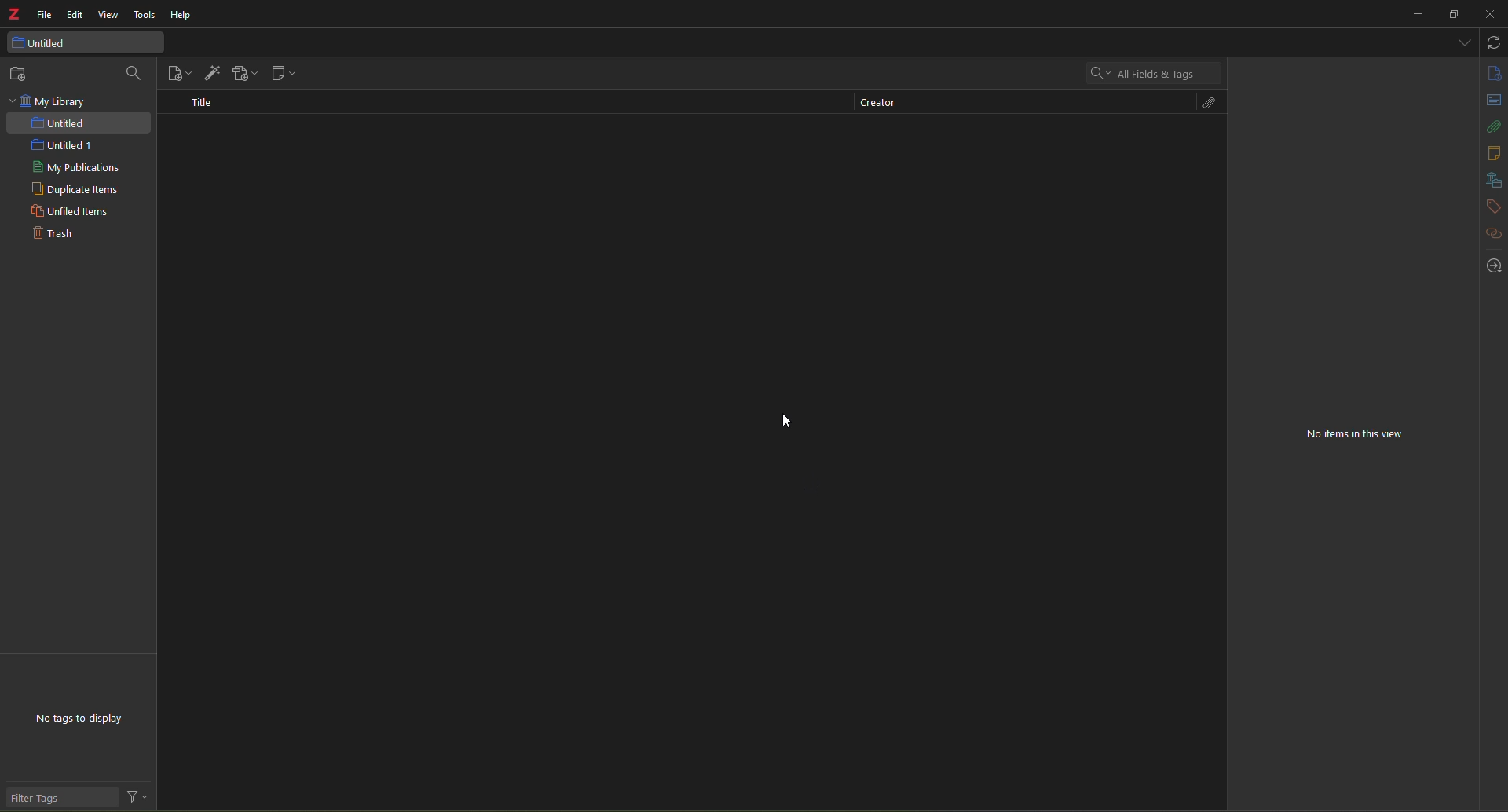 The width and height of the screenshot is (1508, 812). Describe the element at coordinates (1469, 338) in the screenshot. I see `expand` at that location.